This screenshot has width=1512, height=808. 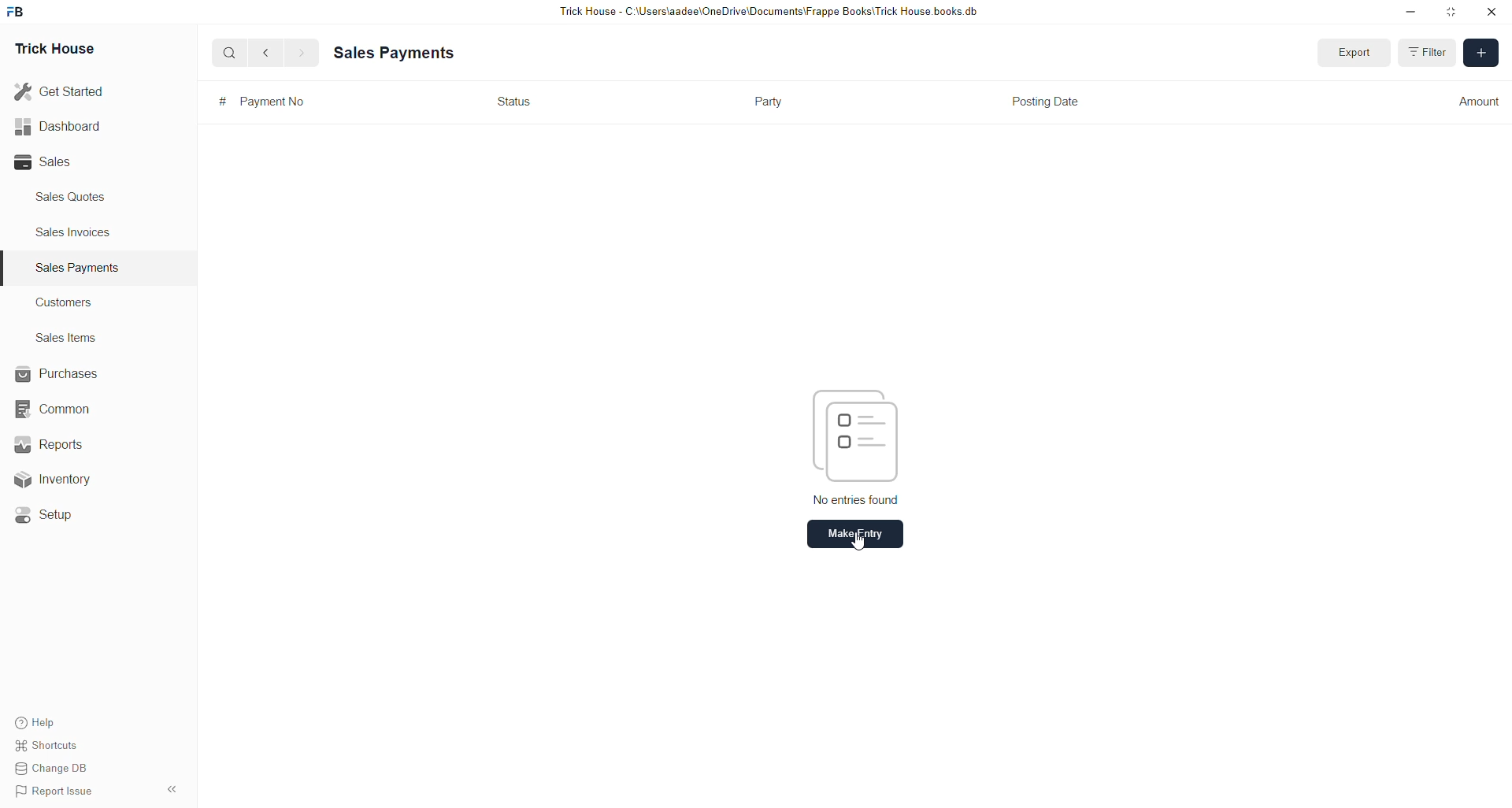 What do you see at coordinates (857, 542) in the screenshot?
I see `cursor` at bounding box center [857, 542].